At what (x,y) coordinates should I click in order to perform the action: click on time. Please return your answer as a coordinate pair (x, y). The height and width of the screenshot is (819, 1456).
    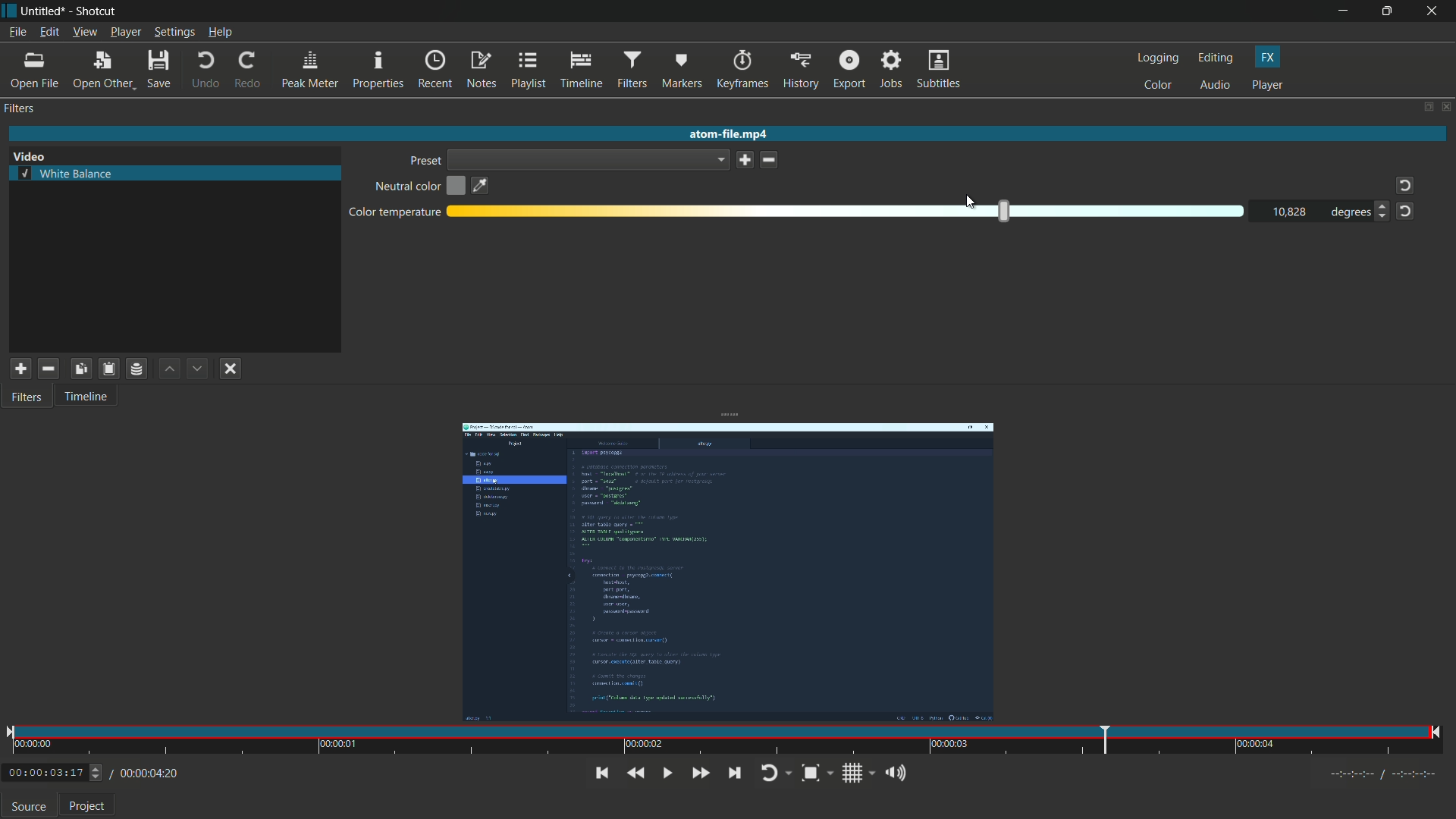
    Looking at the image, I should click on (724, 742).